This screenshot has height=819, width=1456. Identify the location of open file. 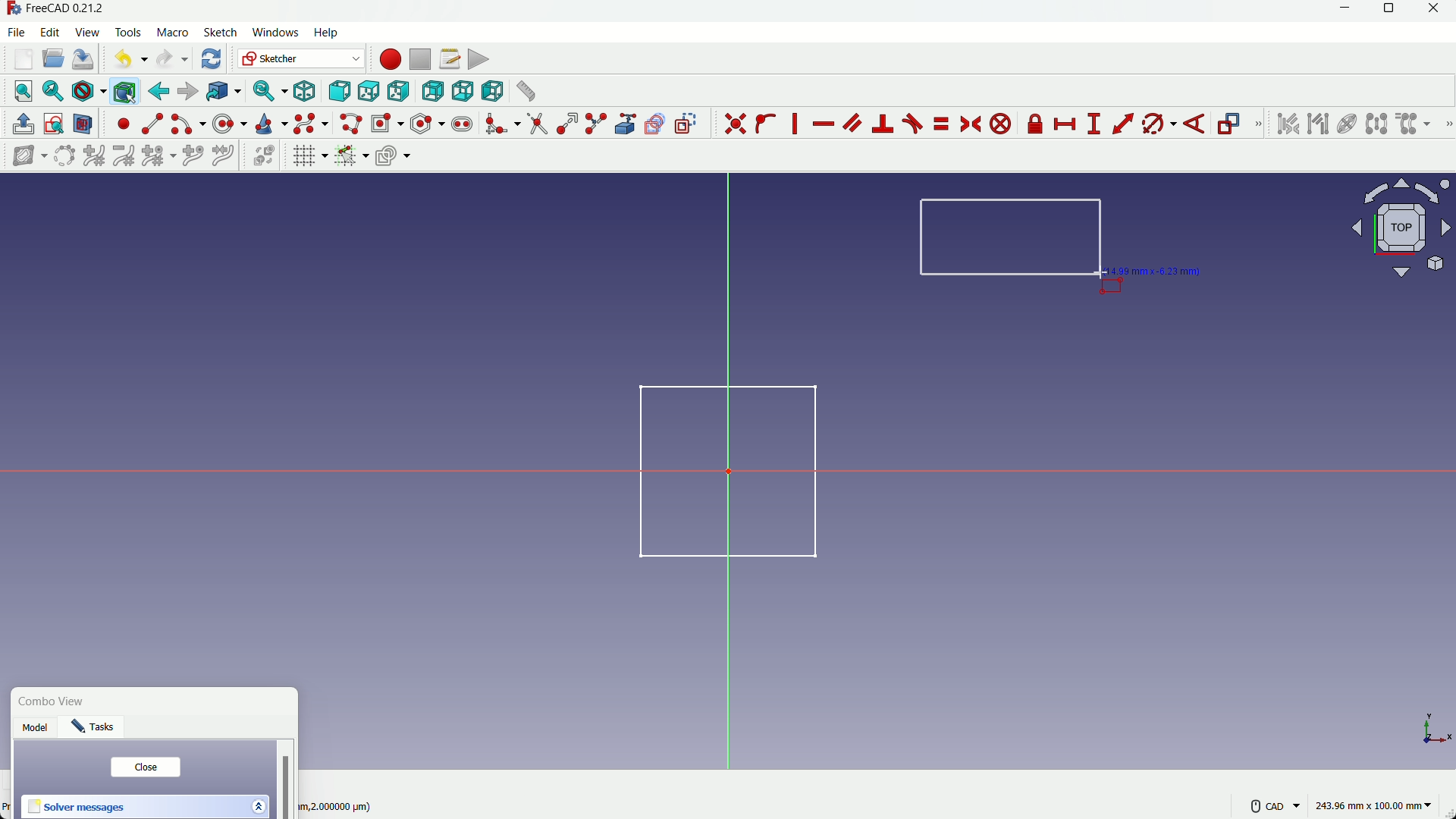
(51, 60).